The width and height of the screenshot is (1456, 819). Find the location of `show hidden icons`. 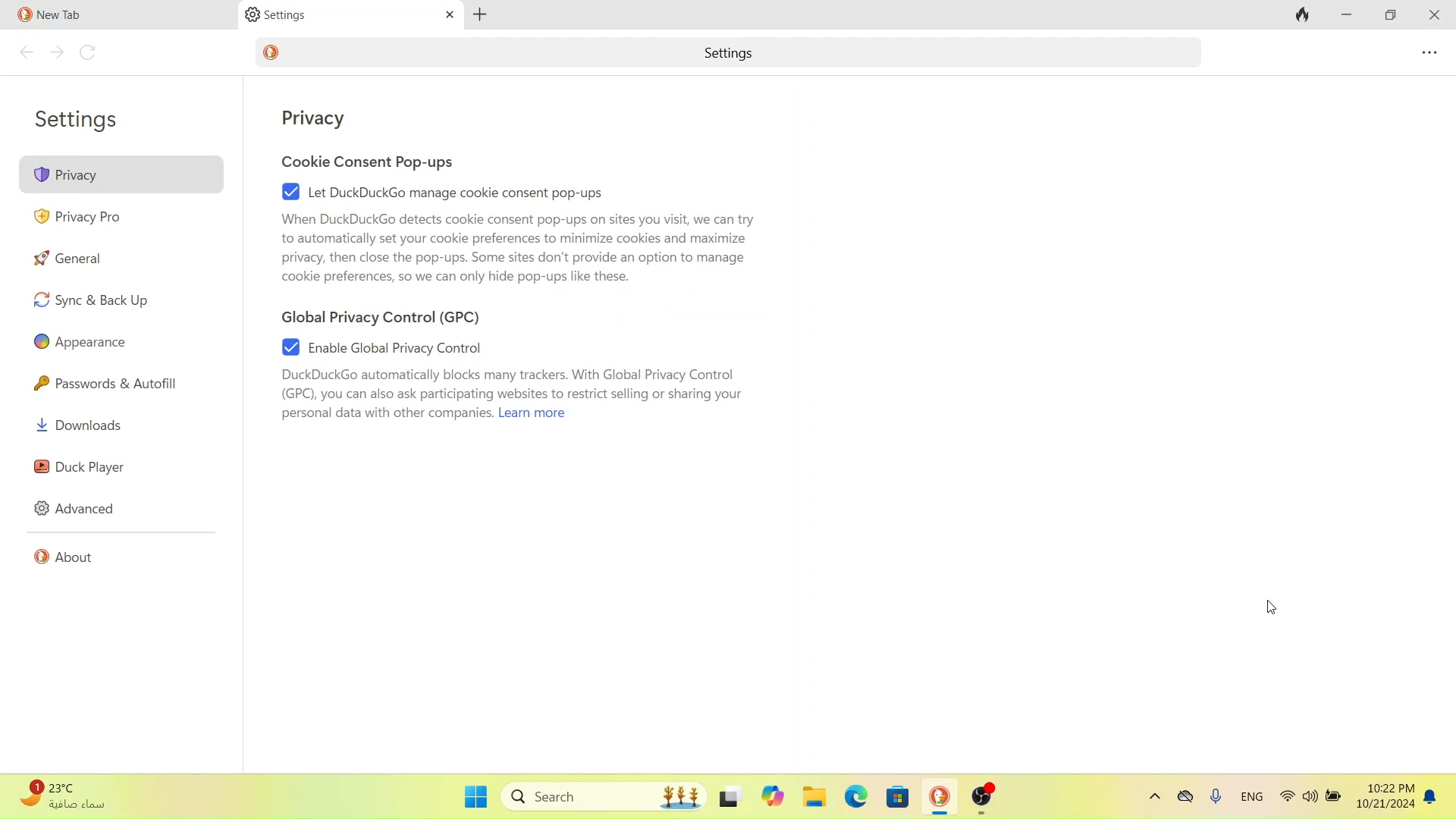

show hidden icons is located at coordinates (1154, 799).